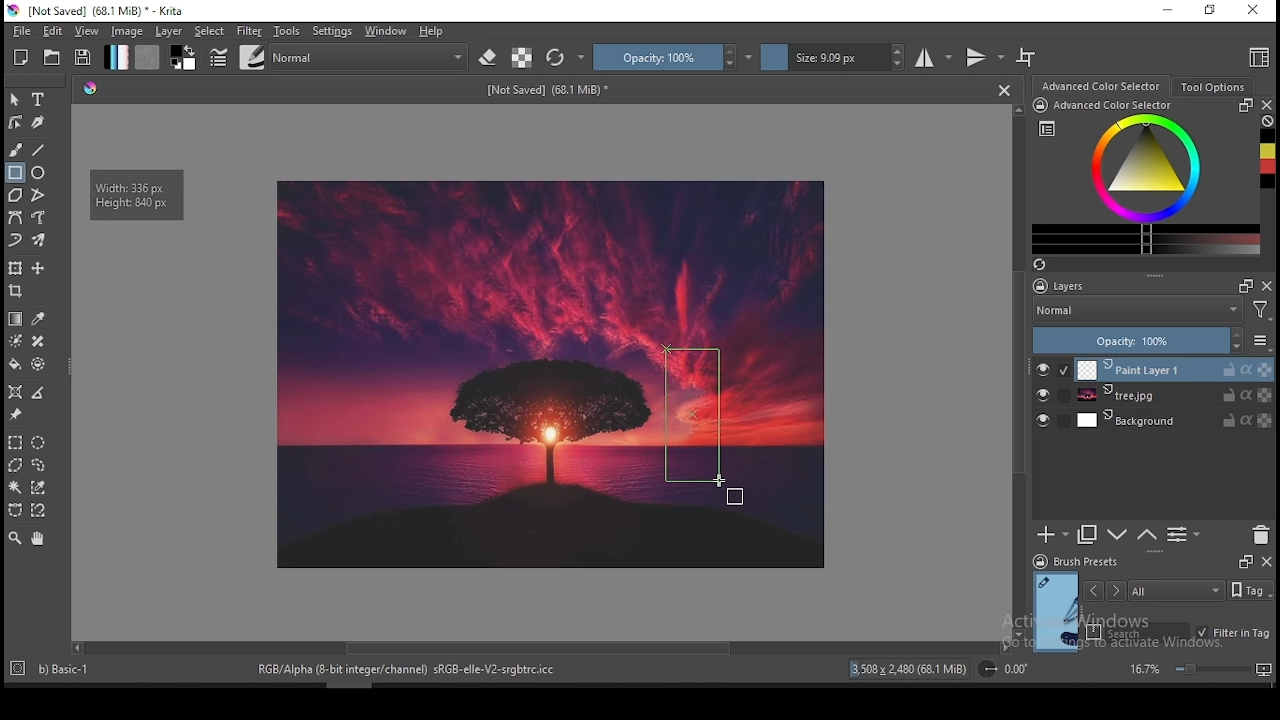  Describe the element at coordinates (1088, 536) in the screenshot. I see `duplicate layer` at that location.